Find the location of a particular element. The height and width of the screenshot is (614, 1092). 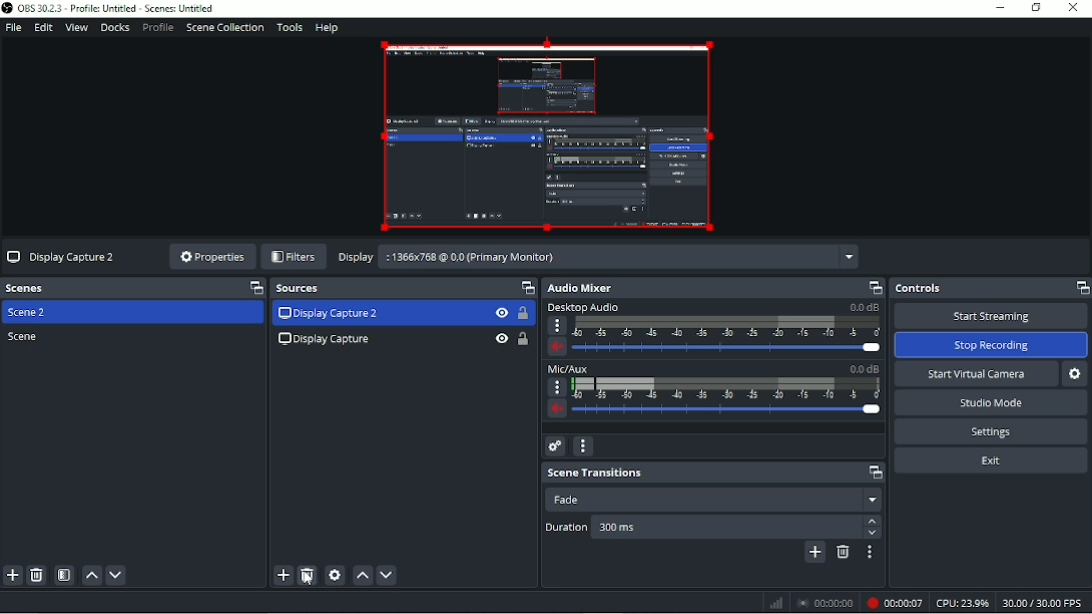

Title is located at coordinates (111, 9).